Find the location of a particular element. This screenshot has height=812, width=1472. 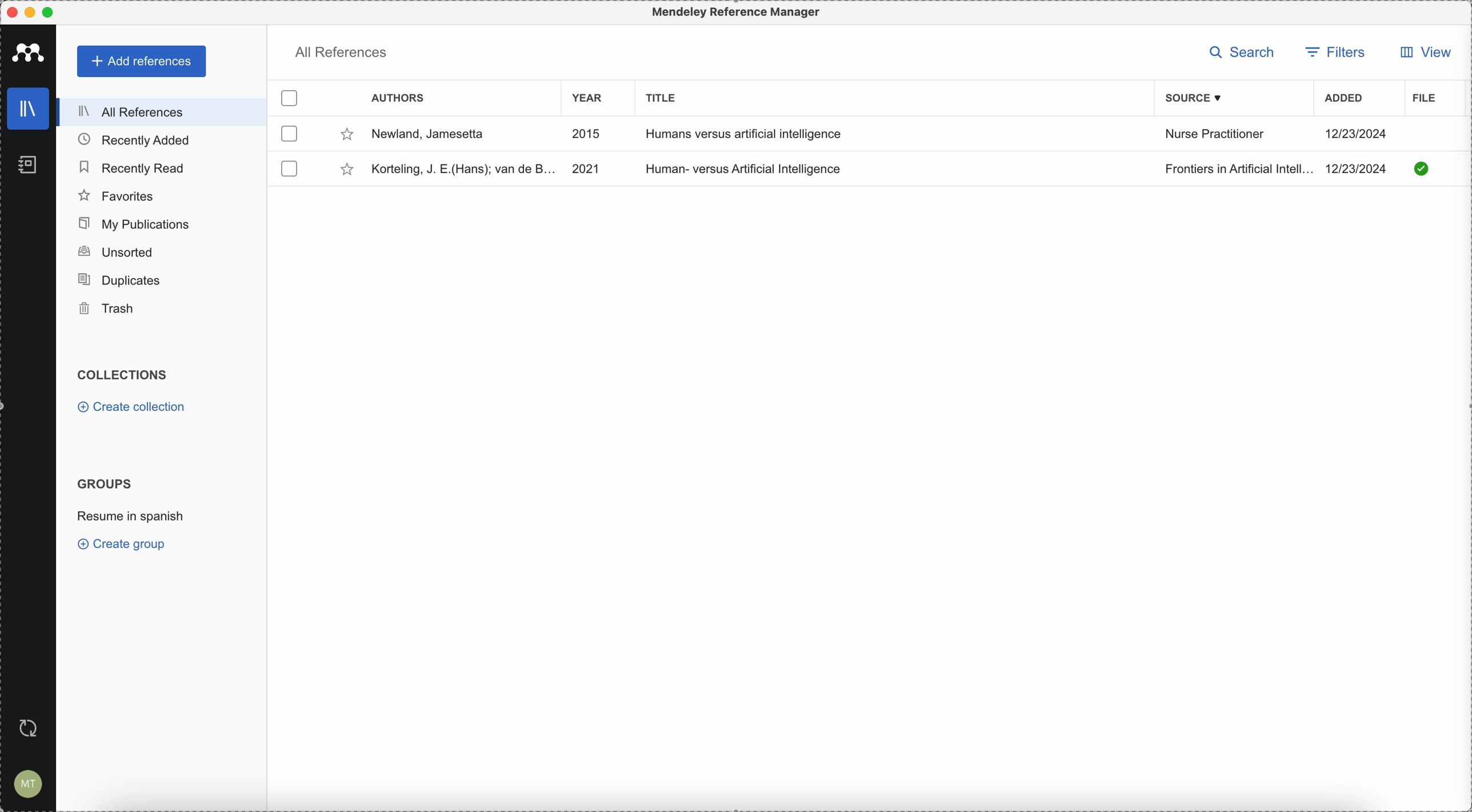

favorite is located at coordinates (345, 135).